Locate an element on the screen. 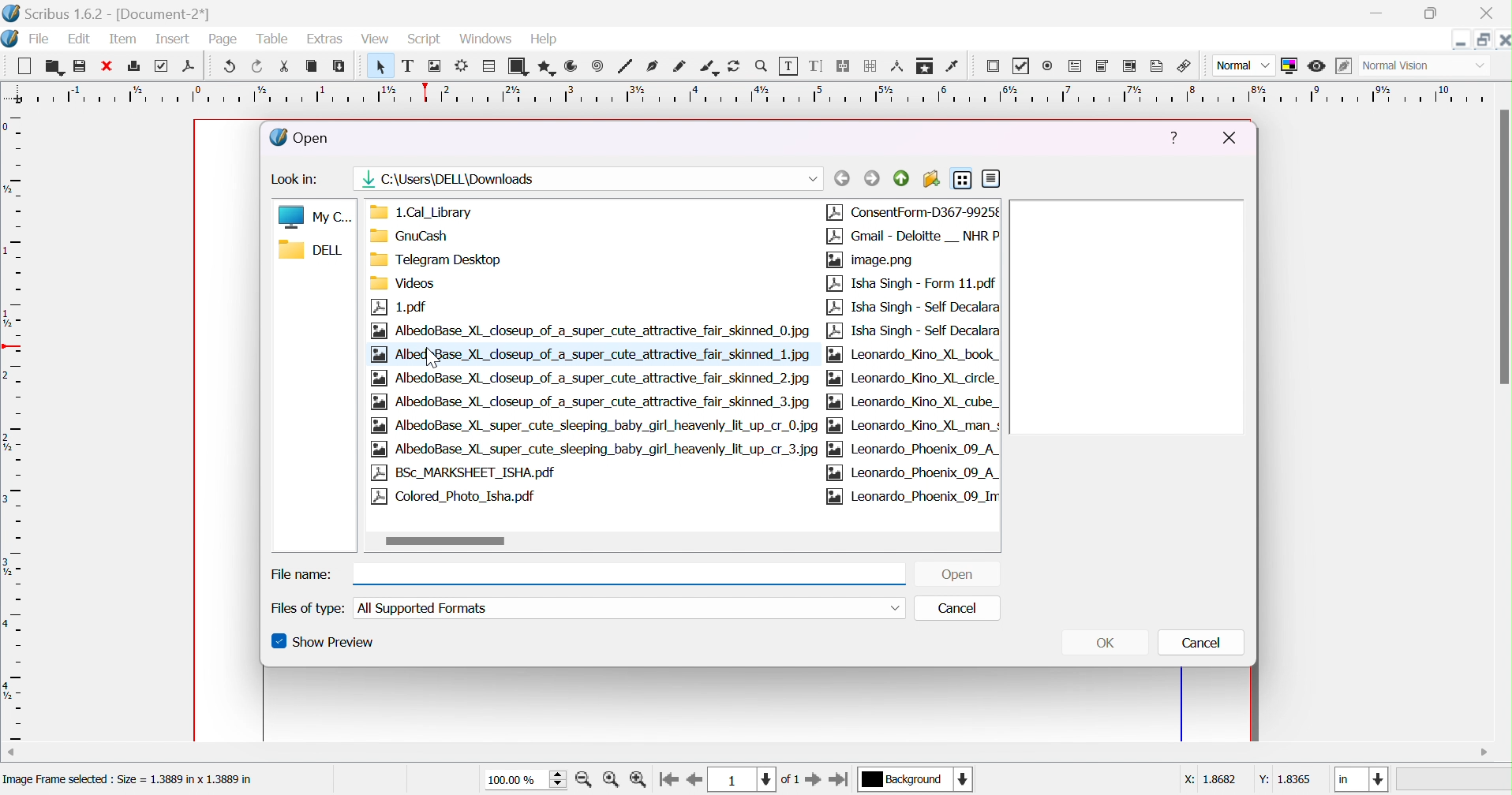 The image size is (1512, 795). PDF combo box is located at coordinates (1103, 66).